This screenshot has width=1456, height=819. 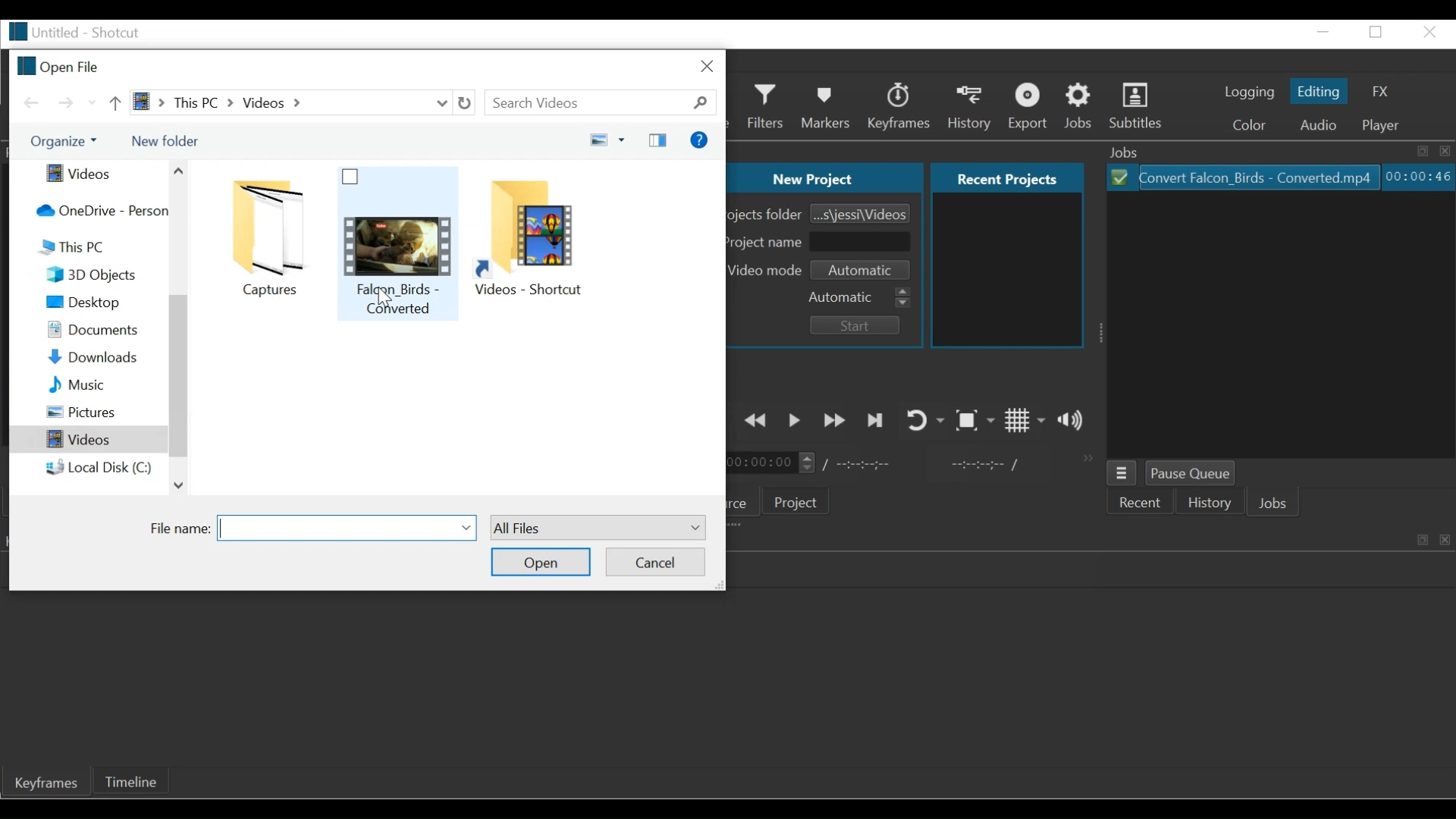 What do you see at coordinates (47, 784) in the screenshot?
I see `Keyframe Tab` at bounding box center [47, 784].